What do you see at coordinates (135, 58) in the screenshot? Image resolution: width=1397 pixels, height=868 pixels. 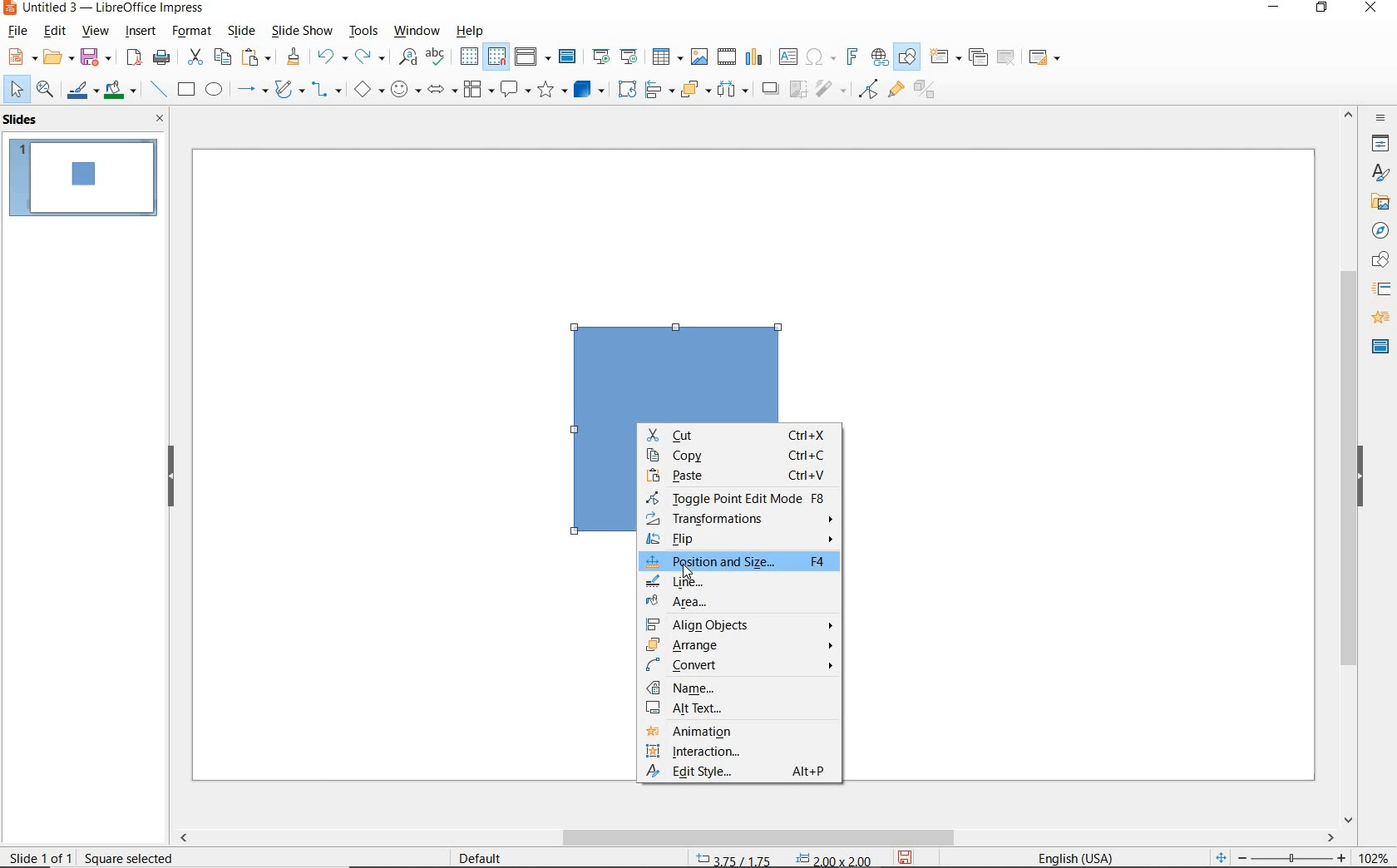 I see `export directly as pdf` at bounding box center [135, 58].